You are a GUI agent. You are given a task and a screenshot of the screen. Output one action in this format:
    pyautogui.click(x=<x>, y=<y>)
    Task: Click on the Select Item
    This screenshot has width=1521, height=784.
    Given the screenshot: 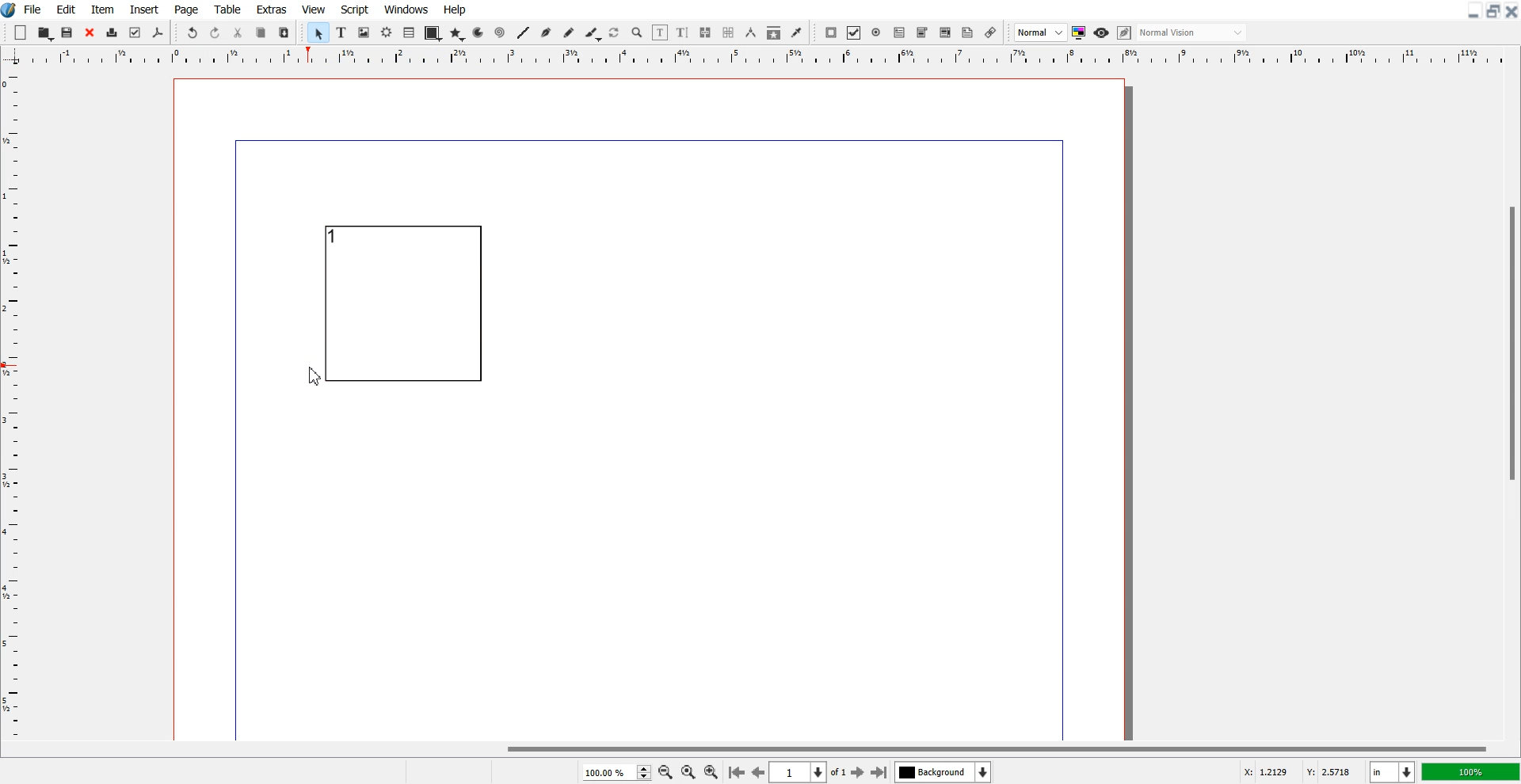 What is the action you would take?
    pyautogui.click(x=319, y=32)
    